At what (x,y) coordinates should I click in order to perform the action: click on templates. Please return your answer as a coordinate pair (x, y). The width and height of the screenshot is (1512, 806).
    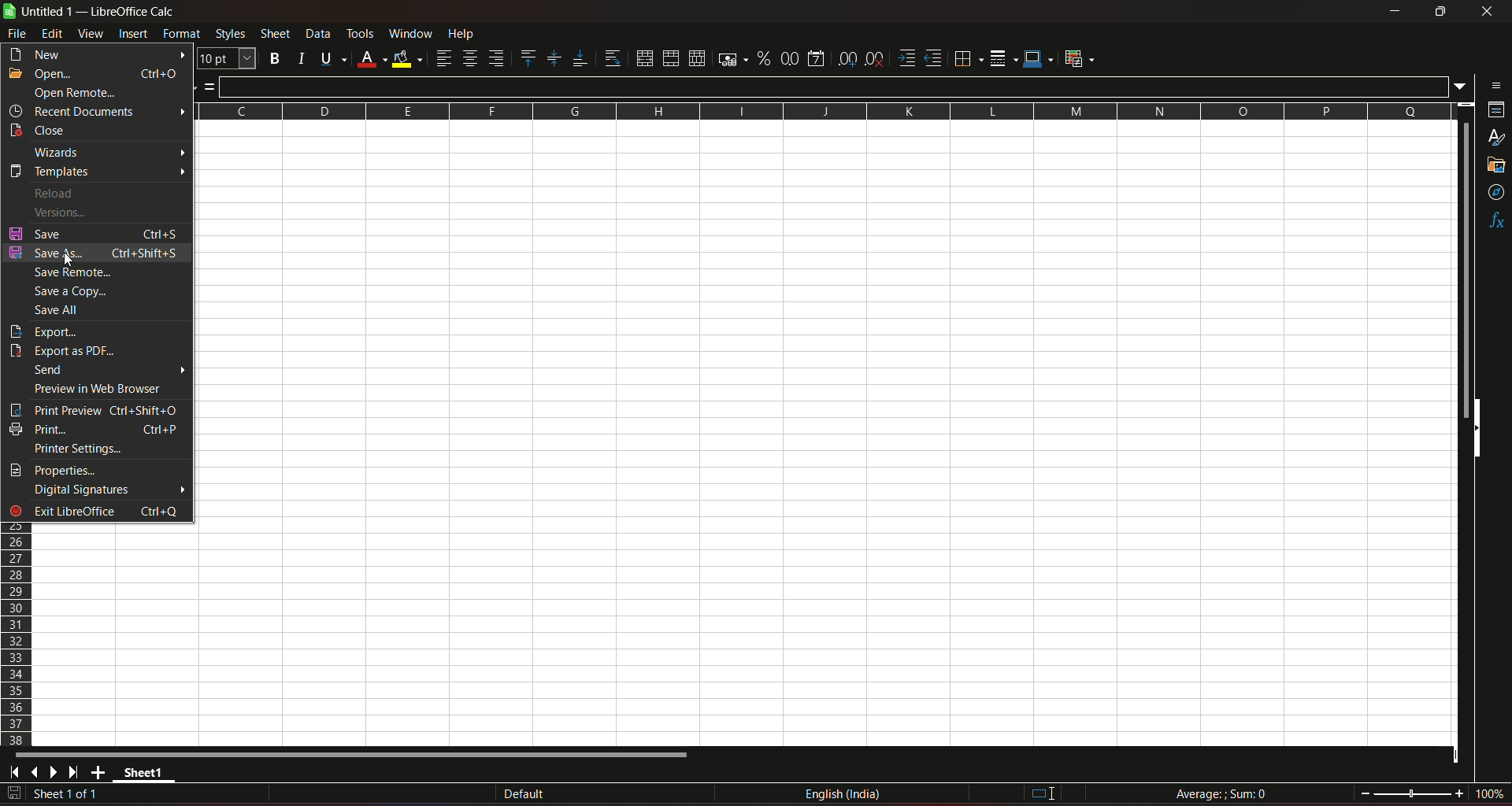
    Looking at the image, I should click on (98, 171).